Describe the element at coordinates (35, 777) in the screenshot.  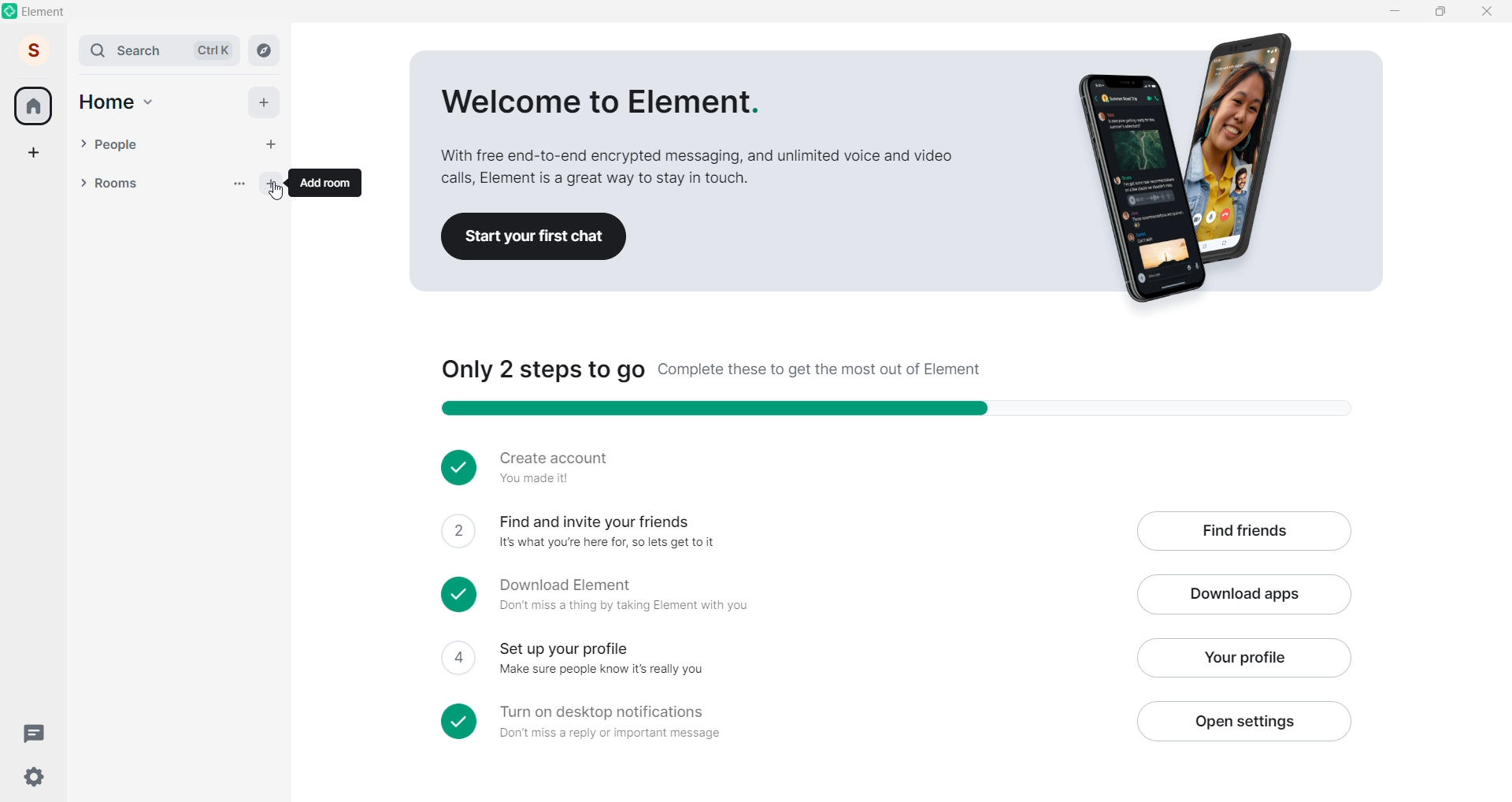
I see `Quick Settings` at that location.